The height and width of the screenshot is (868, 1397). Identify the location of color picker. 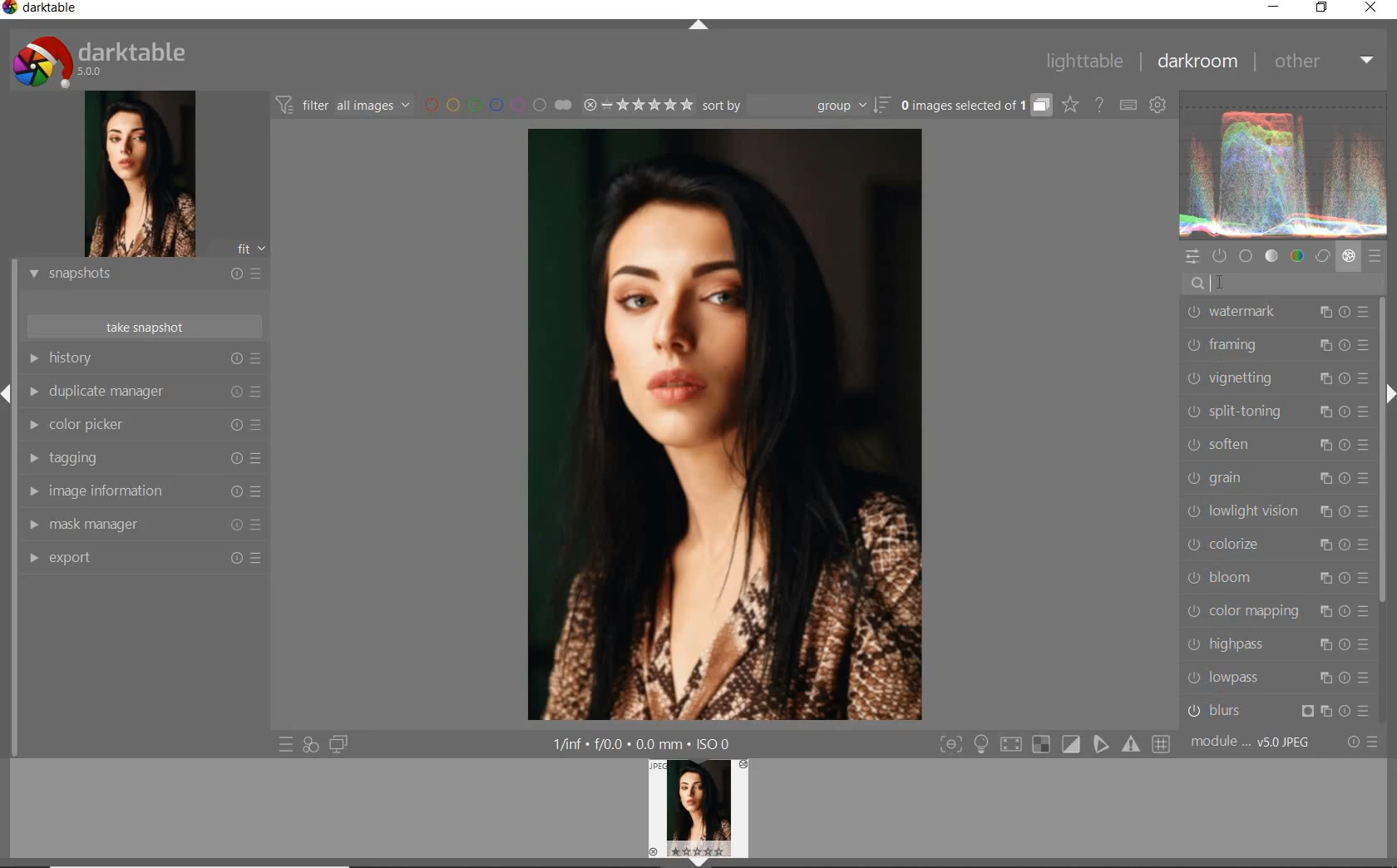
(144, 425).